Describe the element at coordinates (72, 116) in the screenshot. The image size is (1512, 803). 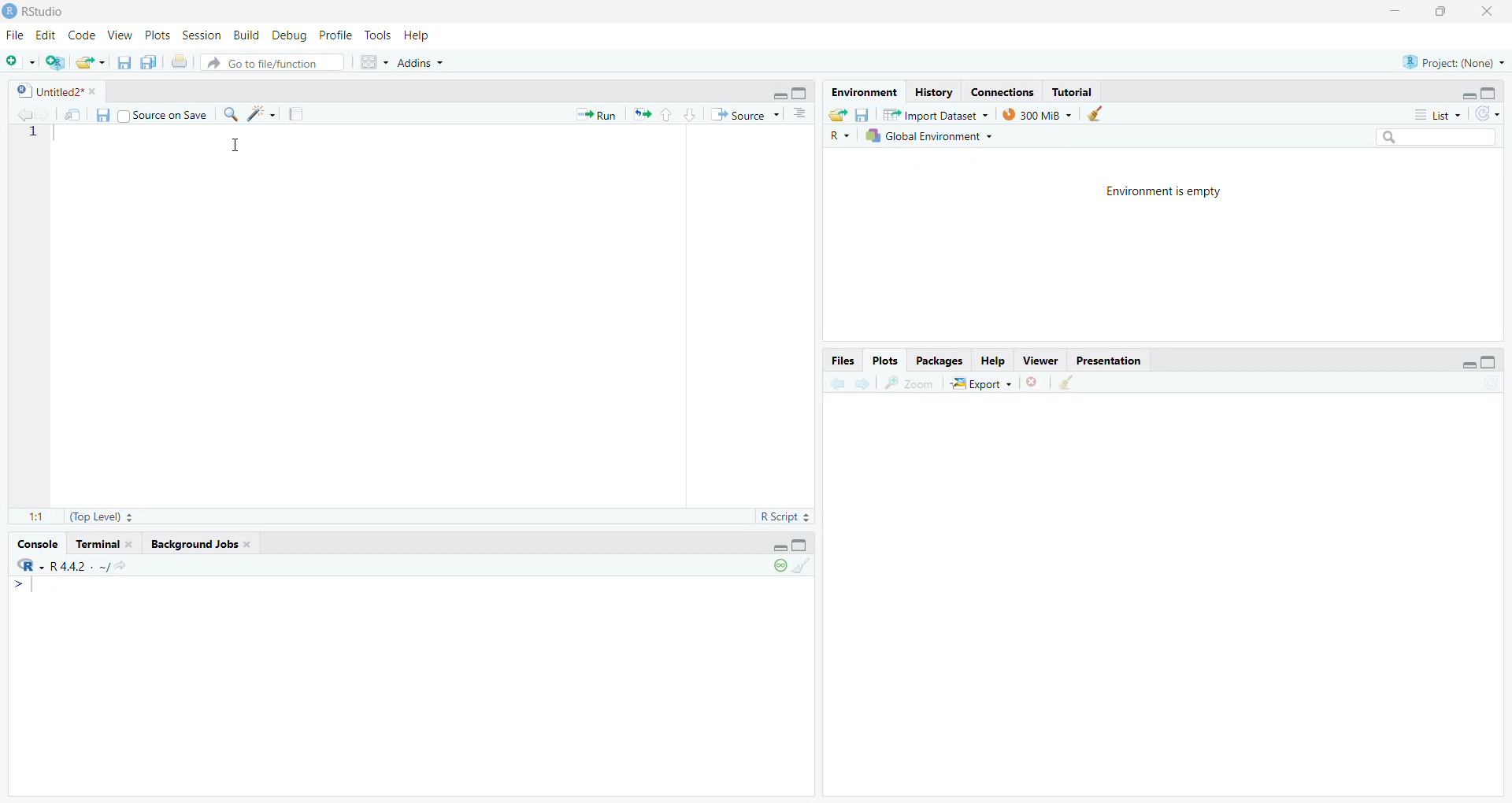
I see `show in new window` at that location.